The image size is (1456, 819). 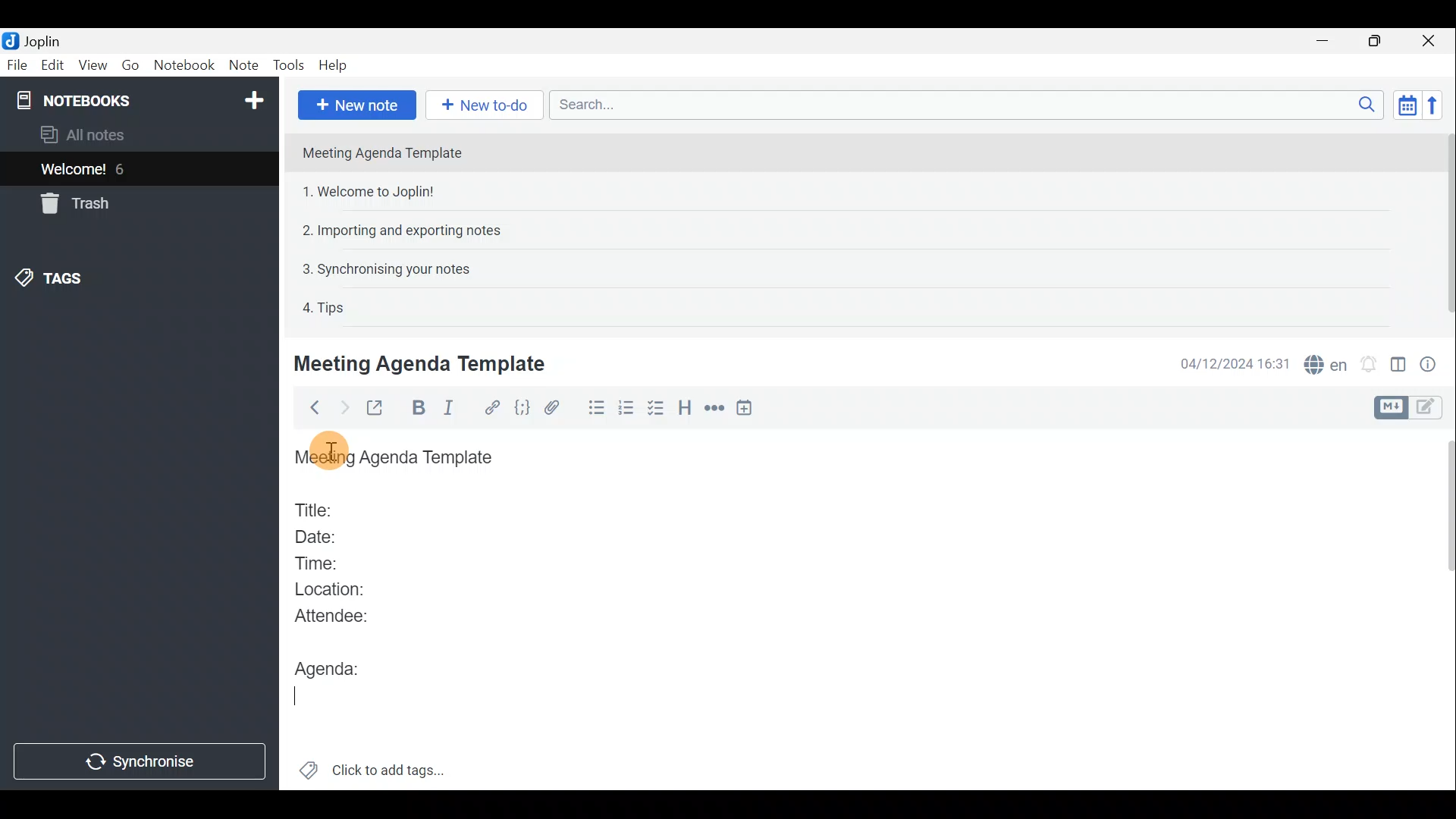 What do you see at coordinates (1429, 42) in the screenshot?
I see `Close` at bounding box center [1429, 42].